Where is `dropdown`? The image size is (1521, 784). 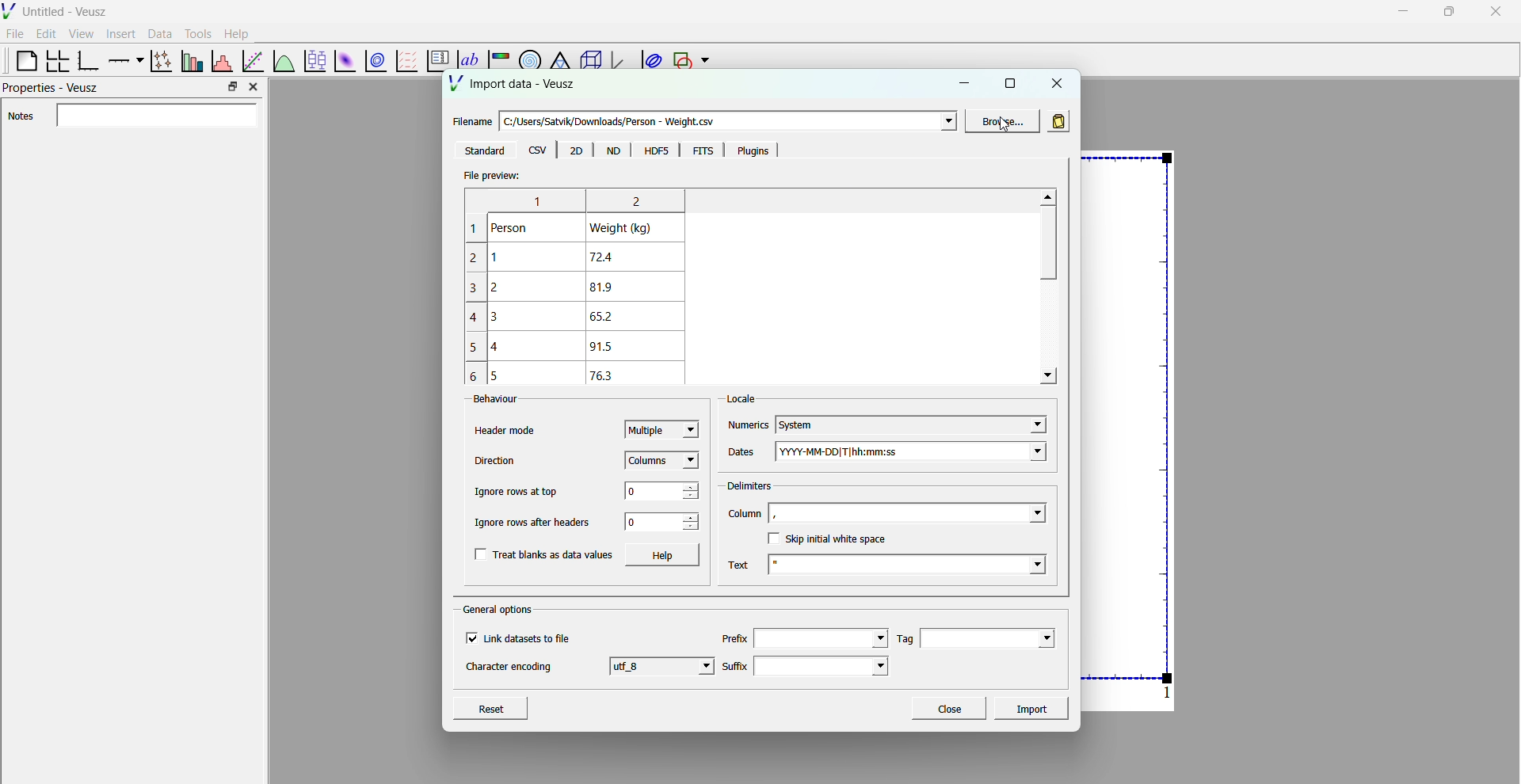
dropdown is located at coordinates (946, 121).